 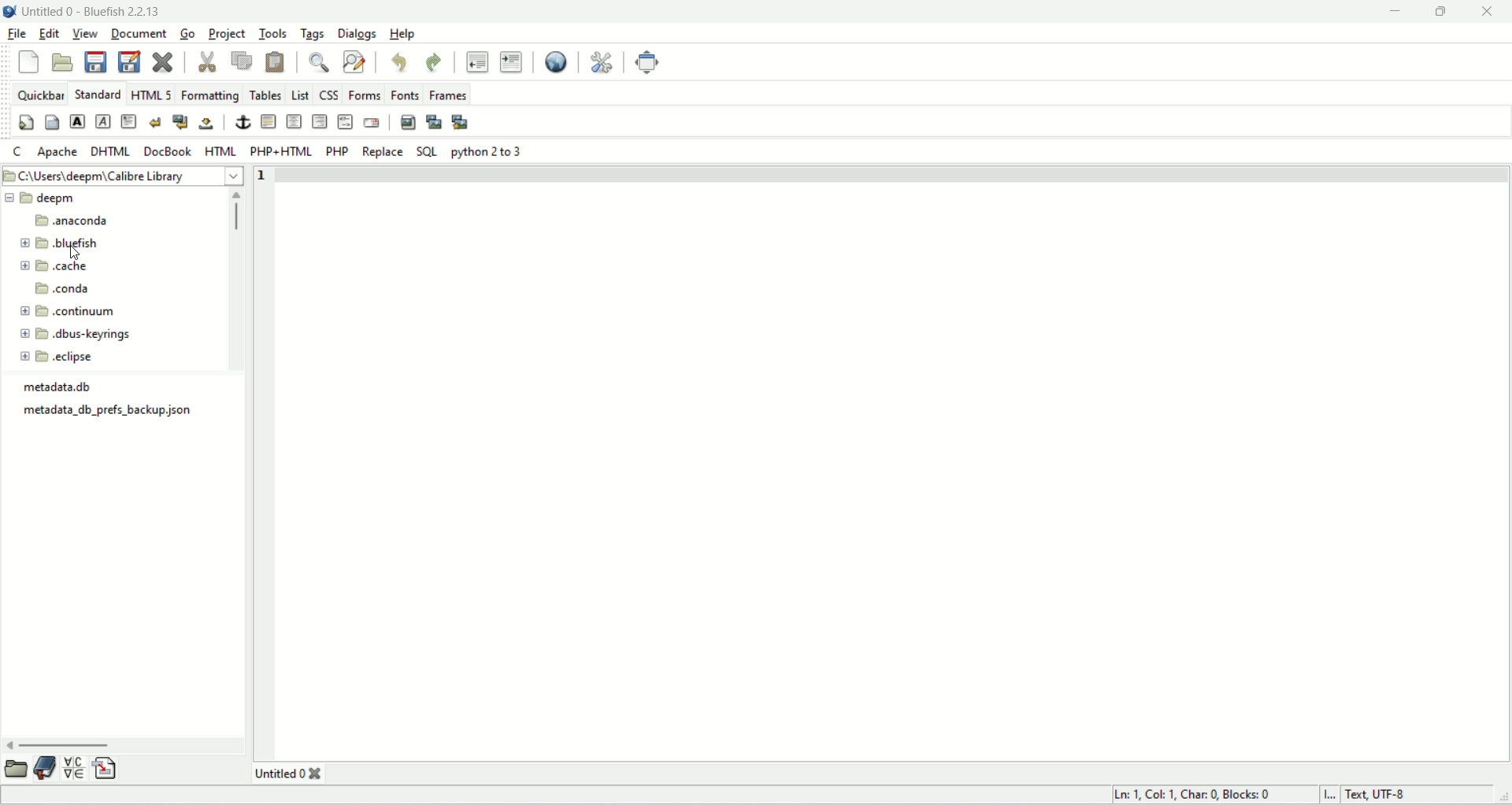 What do you see at coordinates (95, 62) in the screenshot?
I see `save current file` at bounding box center [95, 62].